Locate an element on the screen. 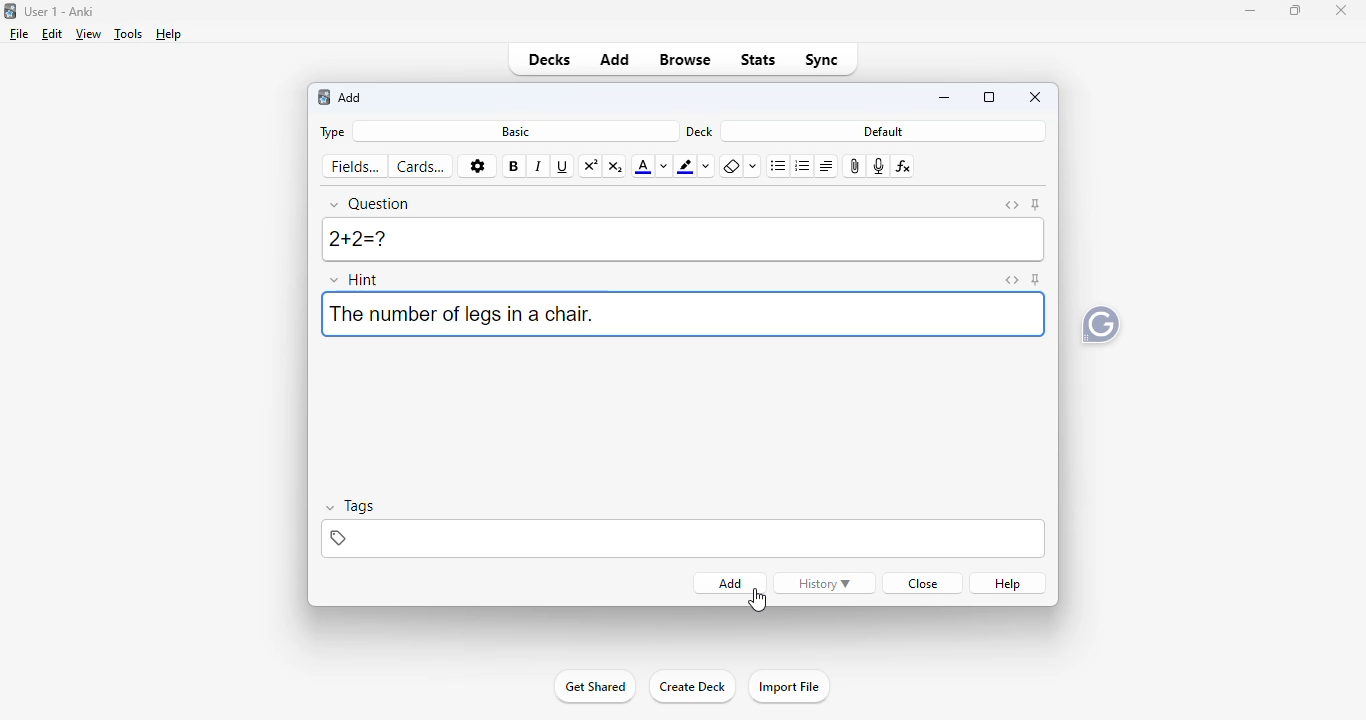 The image size is (1366, 720). Grammarly is located at coordinates (1105, 323).